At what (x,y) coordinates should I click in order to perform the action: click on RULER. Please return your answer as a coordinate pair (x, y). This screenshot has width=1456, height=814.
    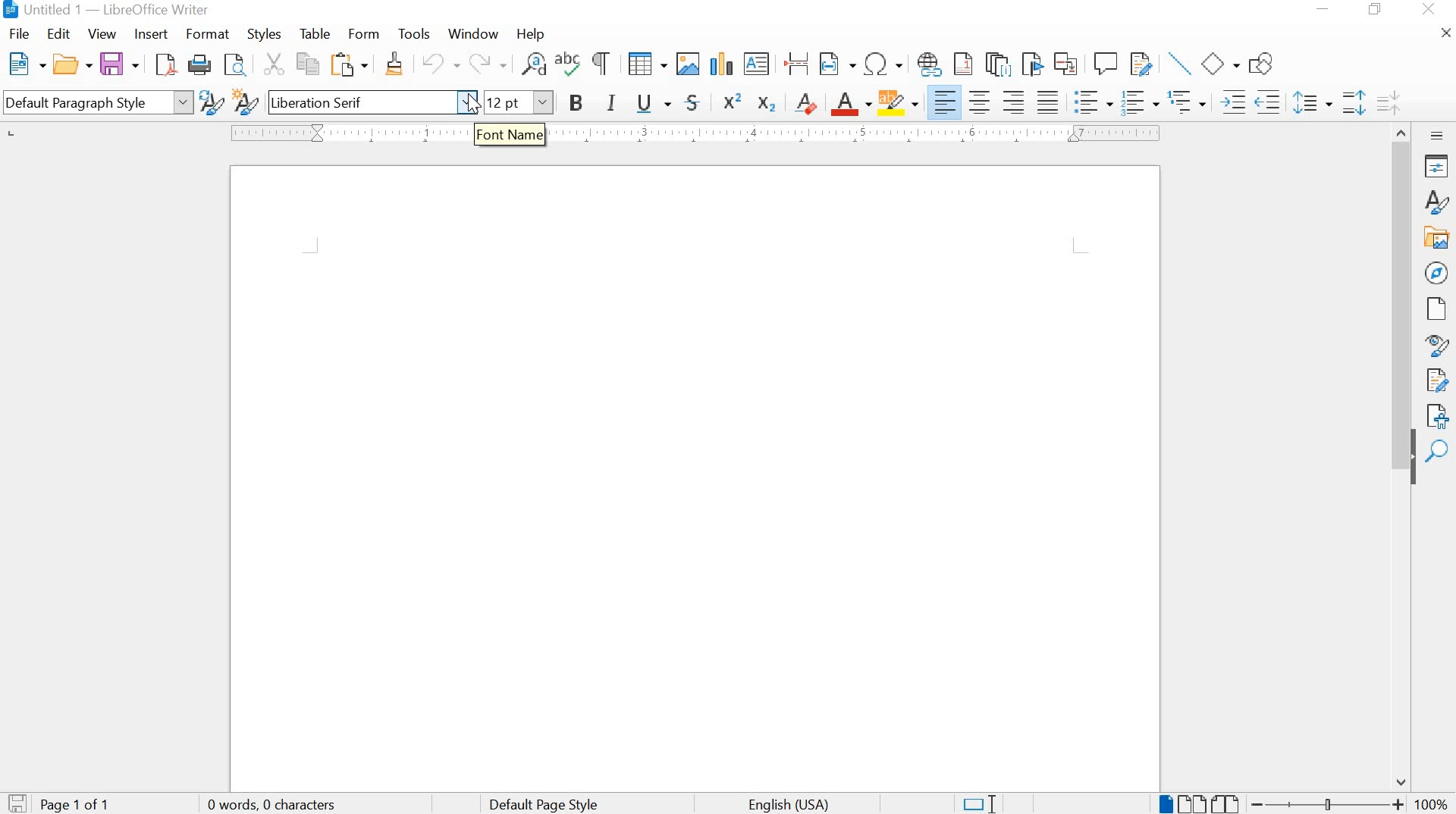
    Looking at the image, I should click on (690, 135).